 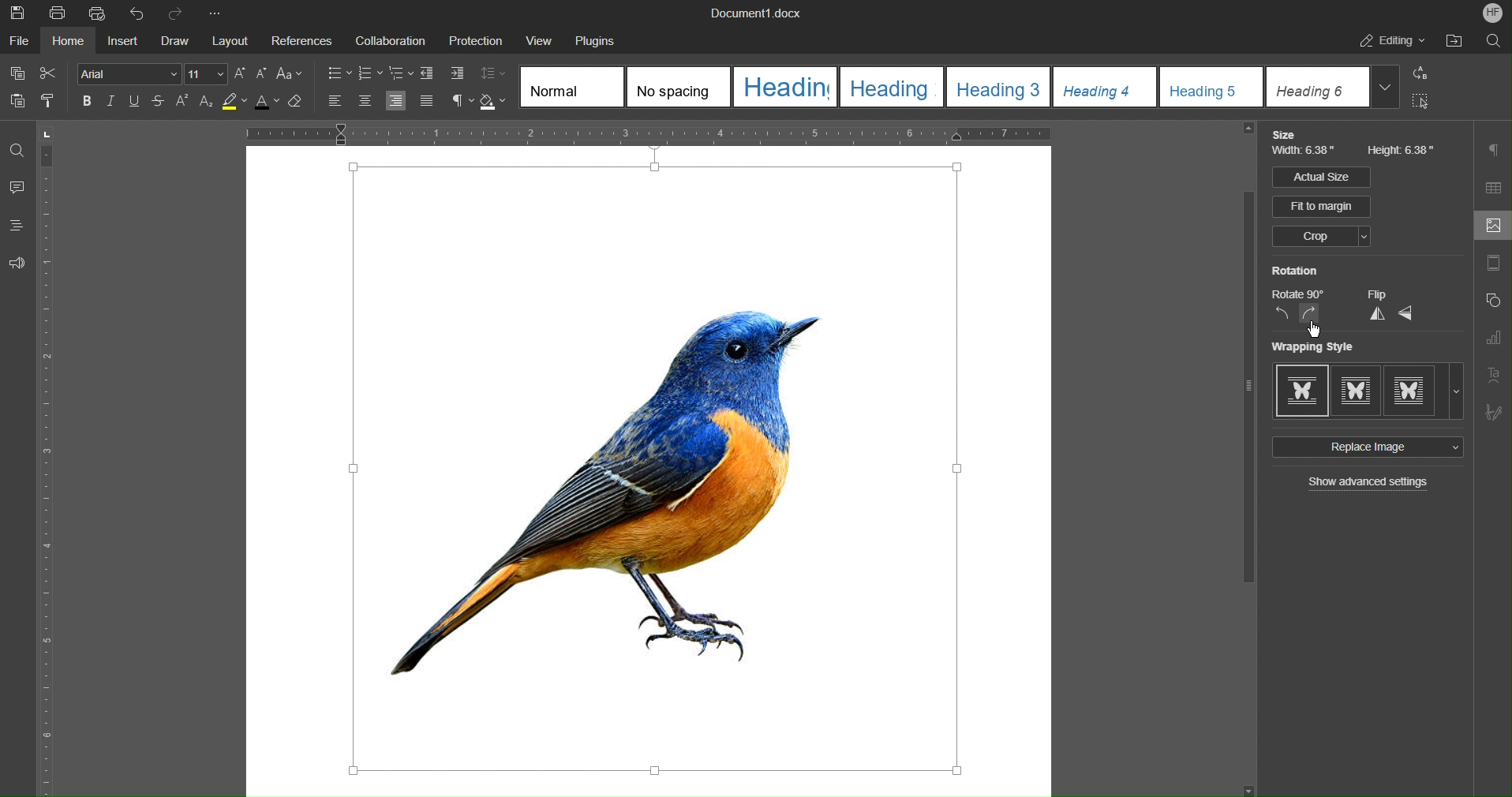 What do you see at coordinates (1492, 264) in the screenshot?
I see `margins settings` at bounding box center [1492, 264].